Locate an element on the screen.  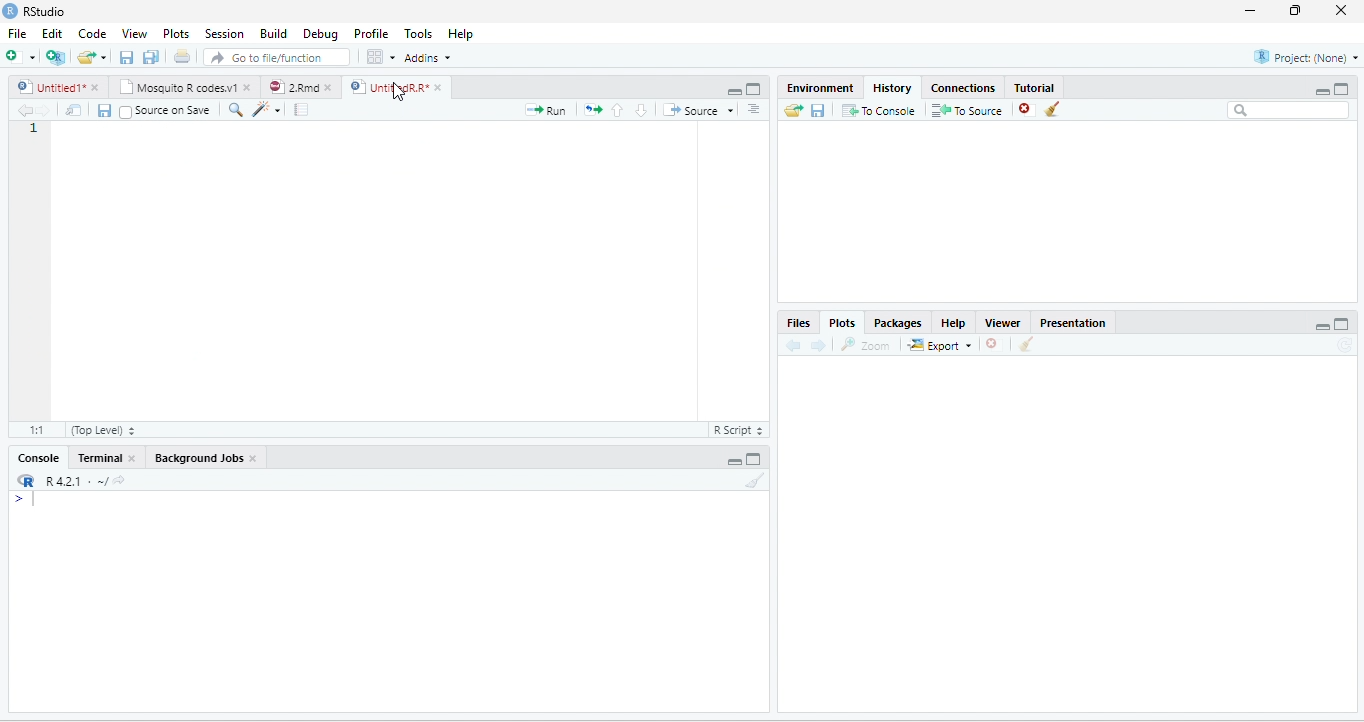
R Script is located at coordinates (740, 430).